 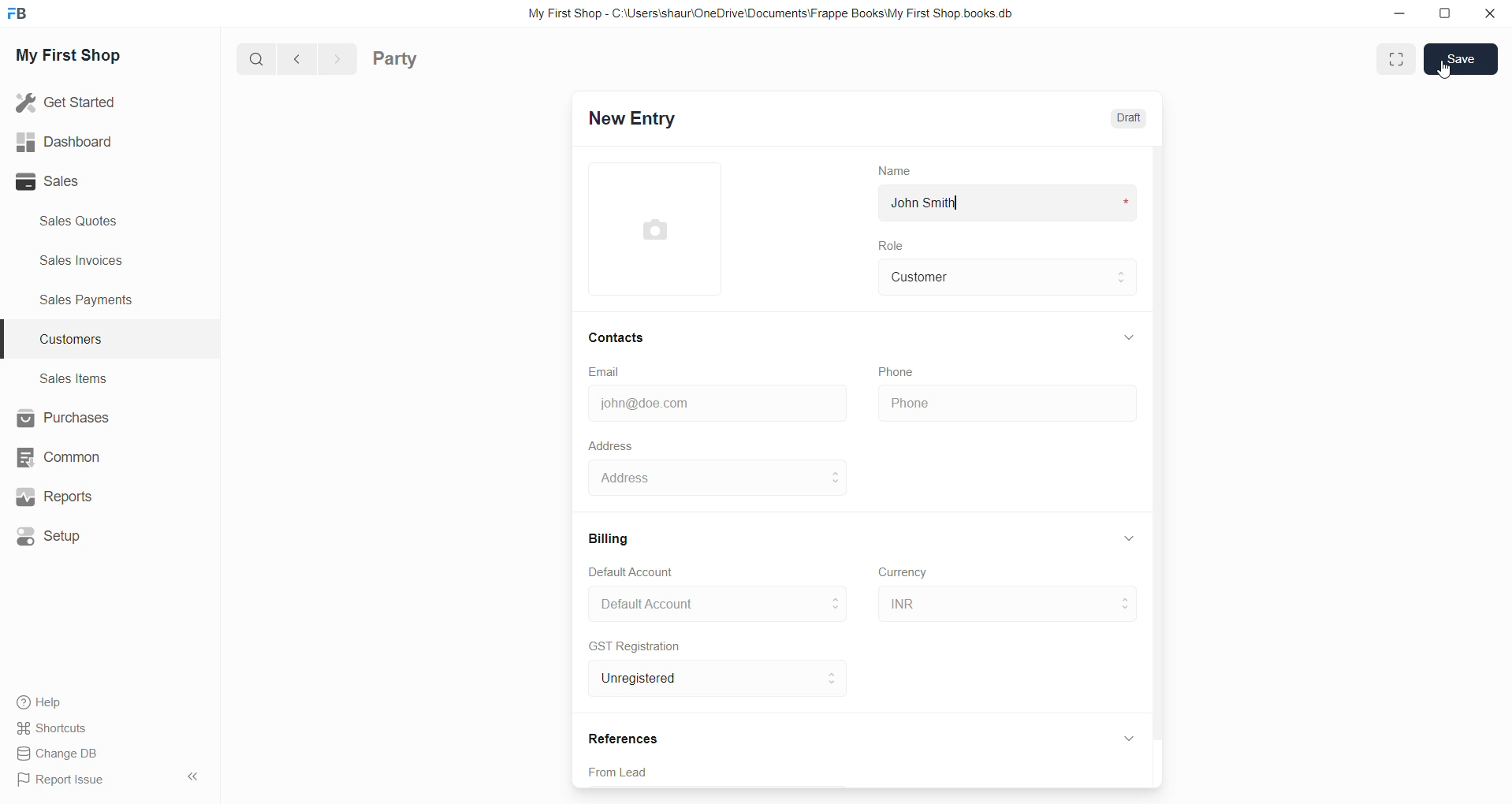 What do you see at coordinates (21, 17) in the screenshot?
I see `frappe book Logo` at bounding box center [21, 17].